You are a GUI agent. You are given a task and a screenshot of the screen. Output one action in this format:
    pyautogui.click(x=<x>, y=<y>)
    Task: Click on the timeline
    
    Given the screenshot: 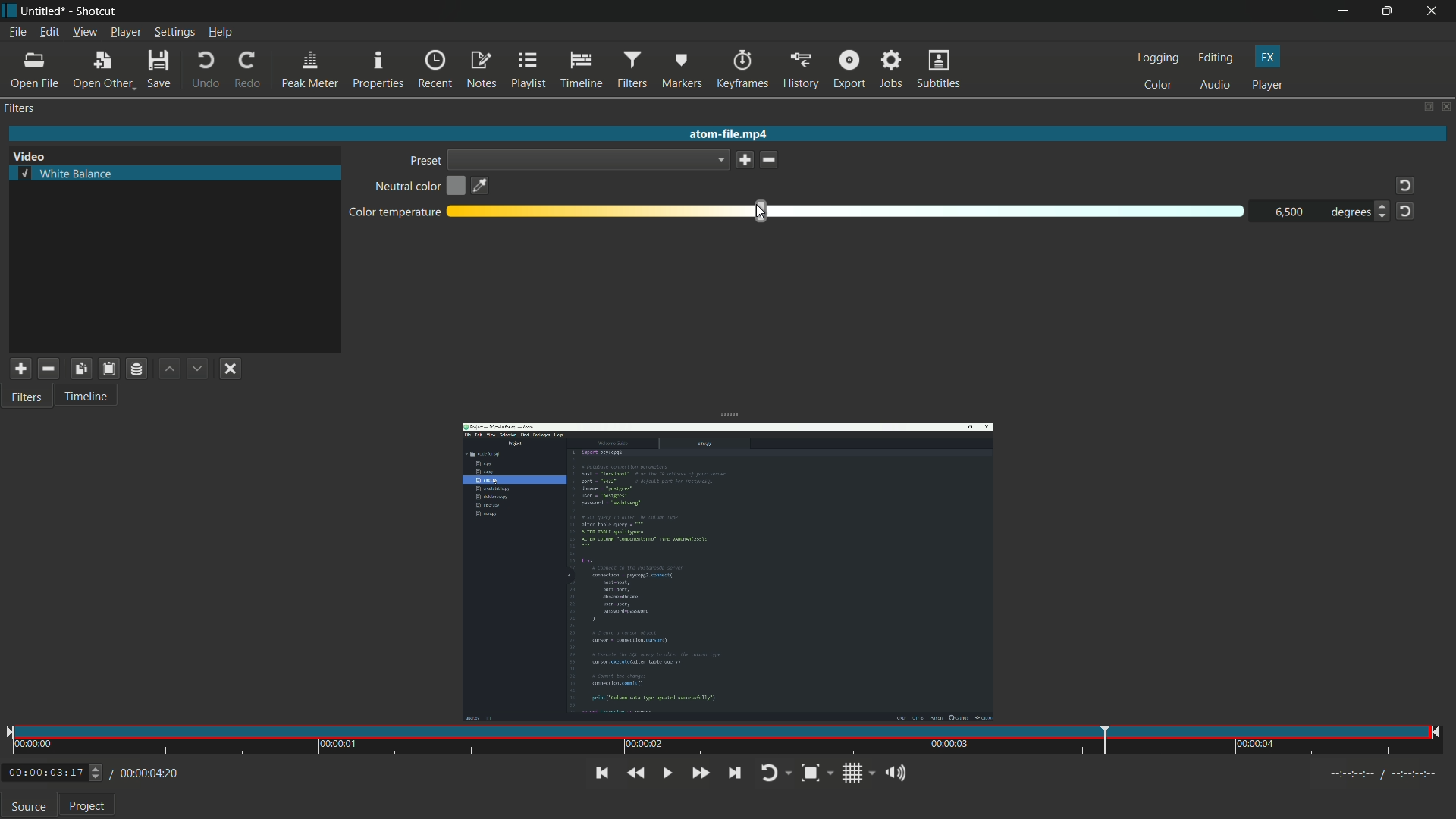 What is the action you would take?
    pyautogui.click(x=580, y=71)
    